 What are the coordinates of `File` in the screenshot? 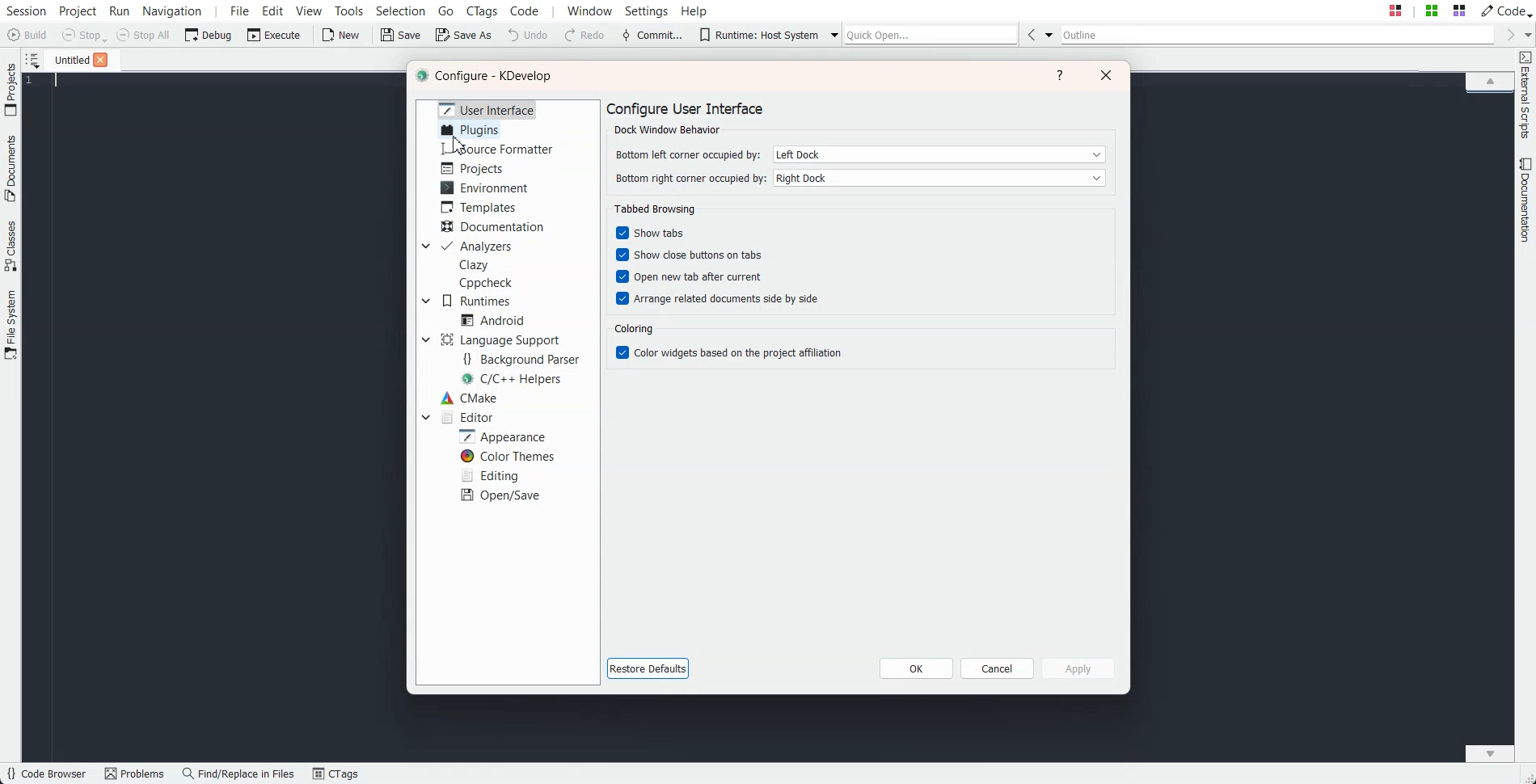 It's located at (67, 59).